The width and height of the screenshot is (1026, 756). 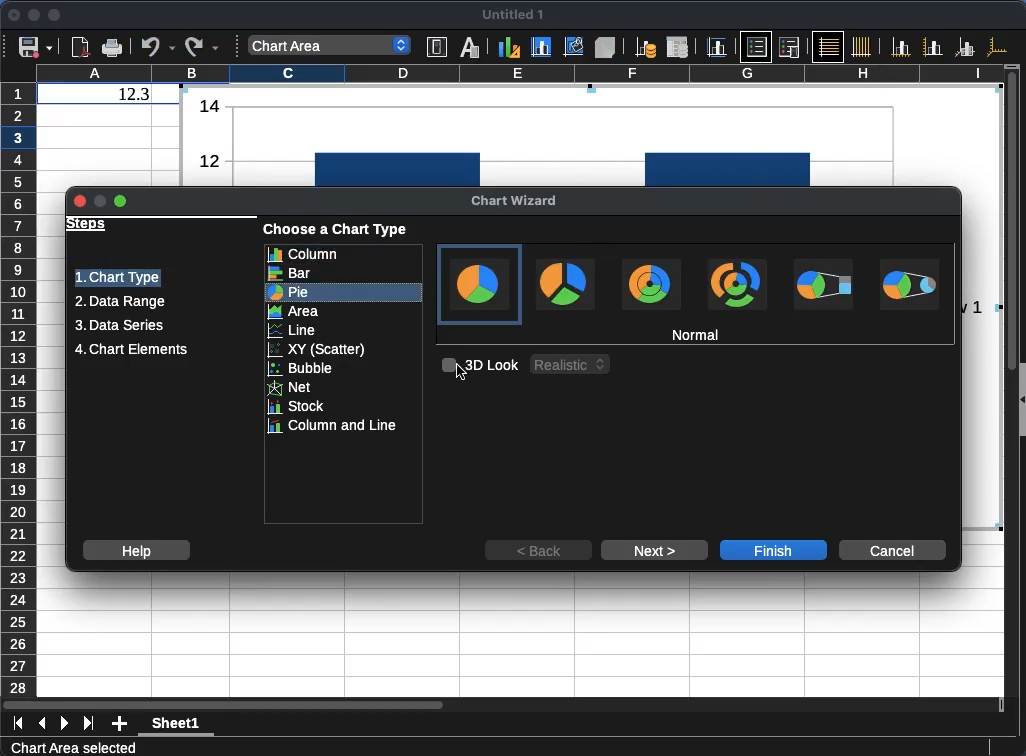 What do you see at coordinates (158, 46) in the screenshot?
I see `Undo options` at bounding box center [158, 46].